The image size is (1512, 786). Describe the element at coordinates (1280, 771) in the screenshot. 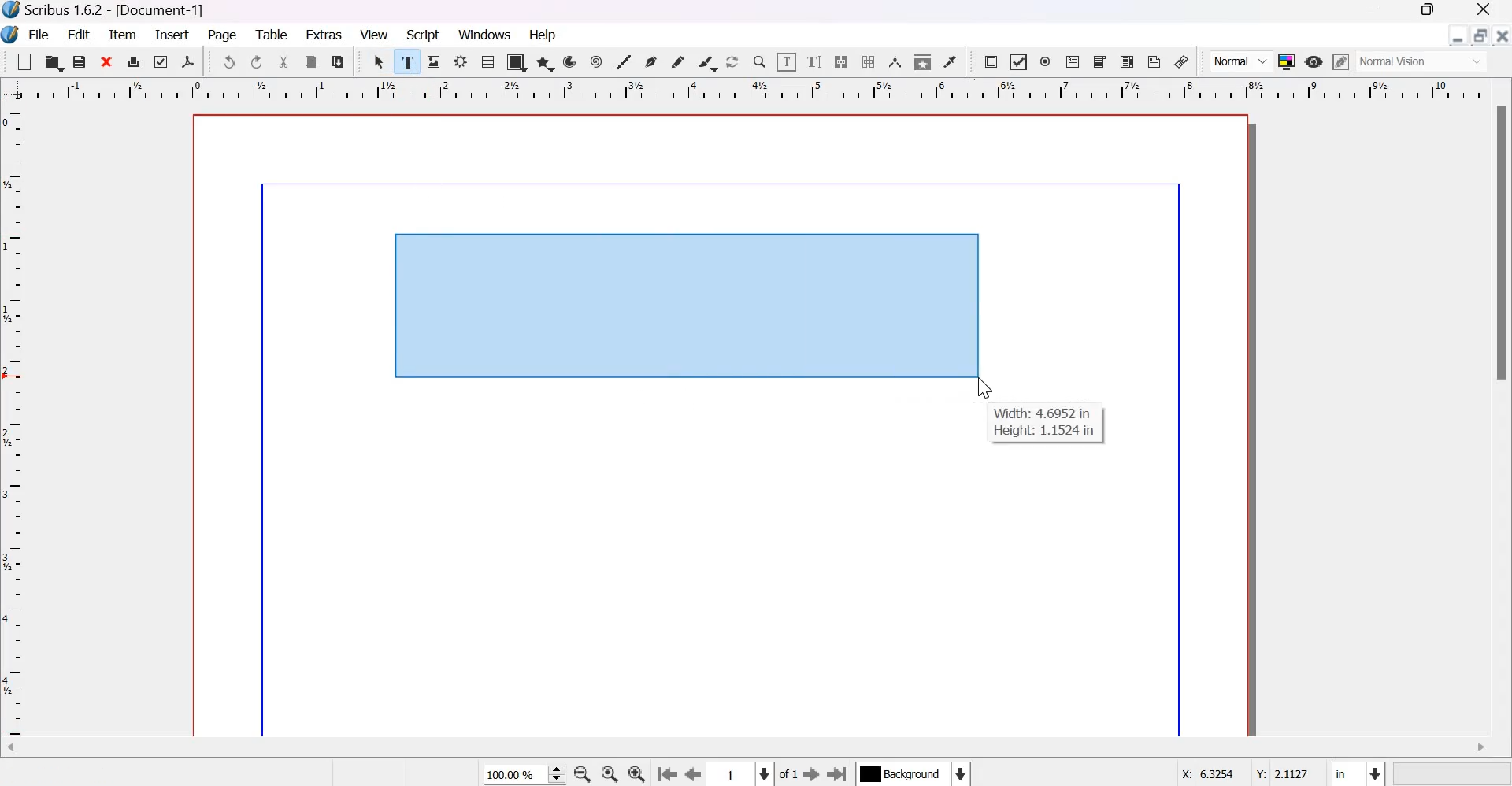

I see `Y: 2.1127` at that location.